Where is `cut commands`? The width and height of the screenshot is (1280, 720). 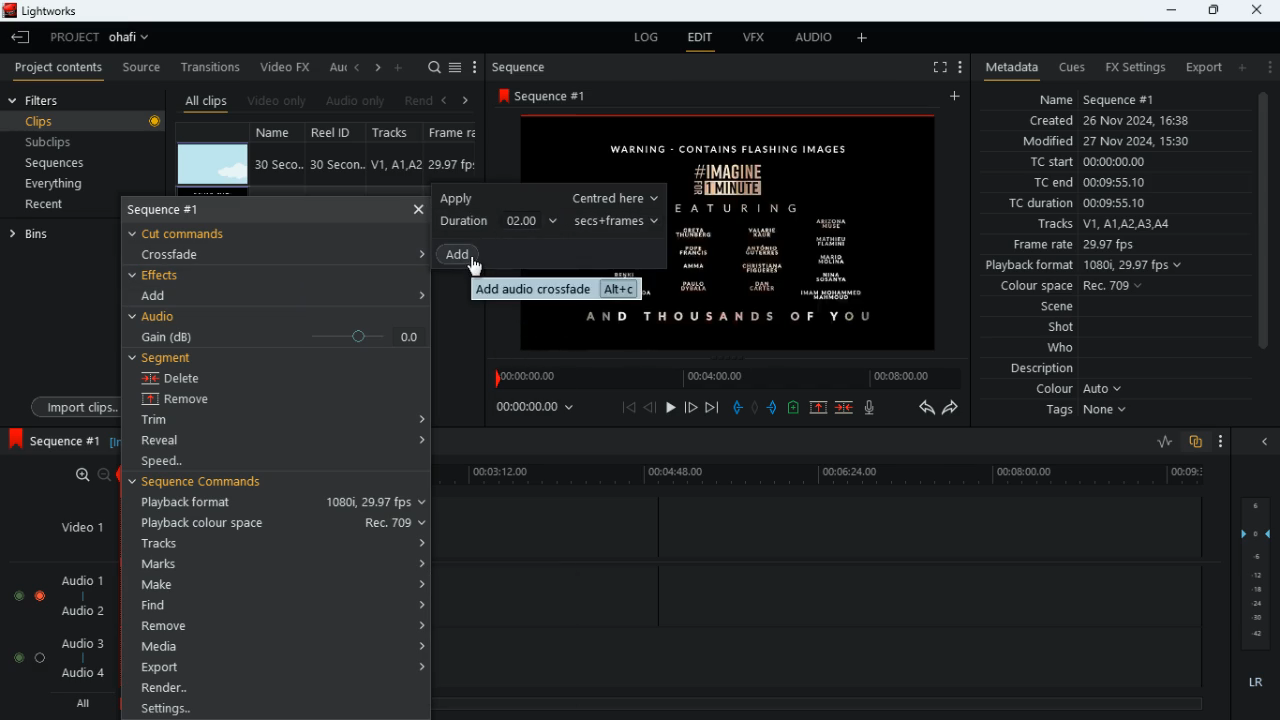
cut commands is located at coordinates (191, 232).